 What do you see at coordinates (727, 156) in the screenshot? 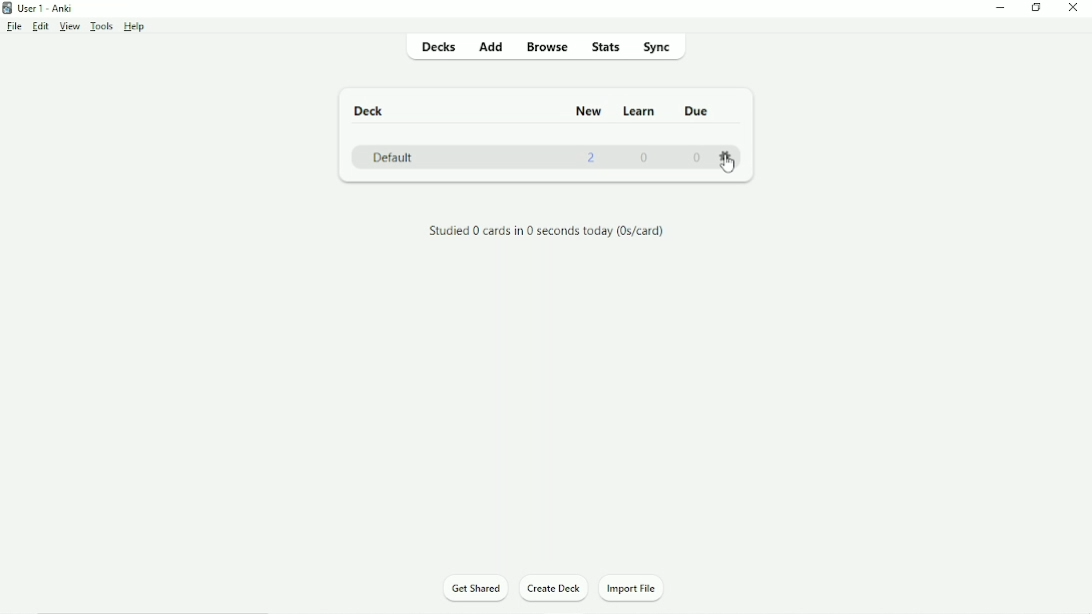
I see `Settings` at bounding box center [727, 156].